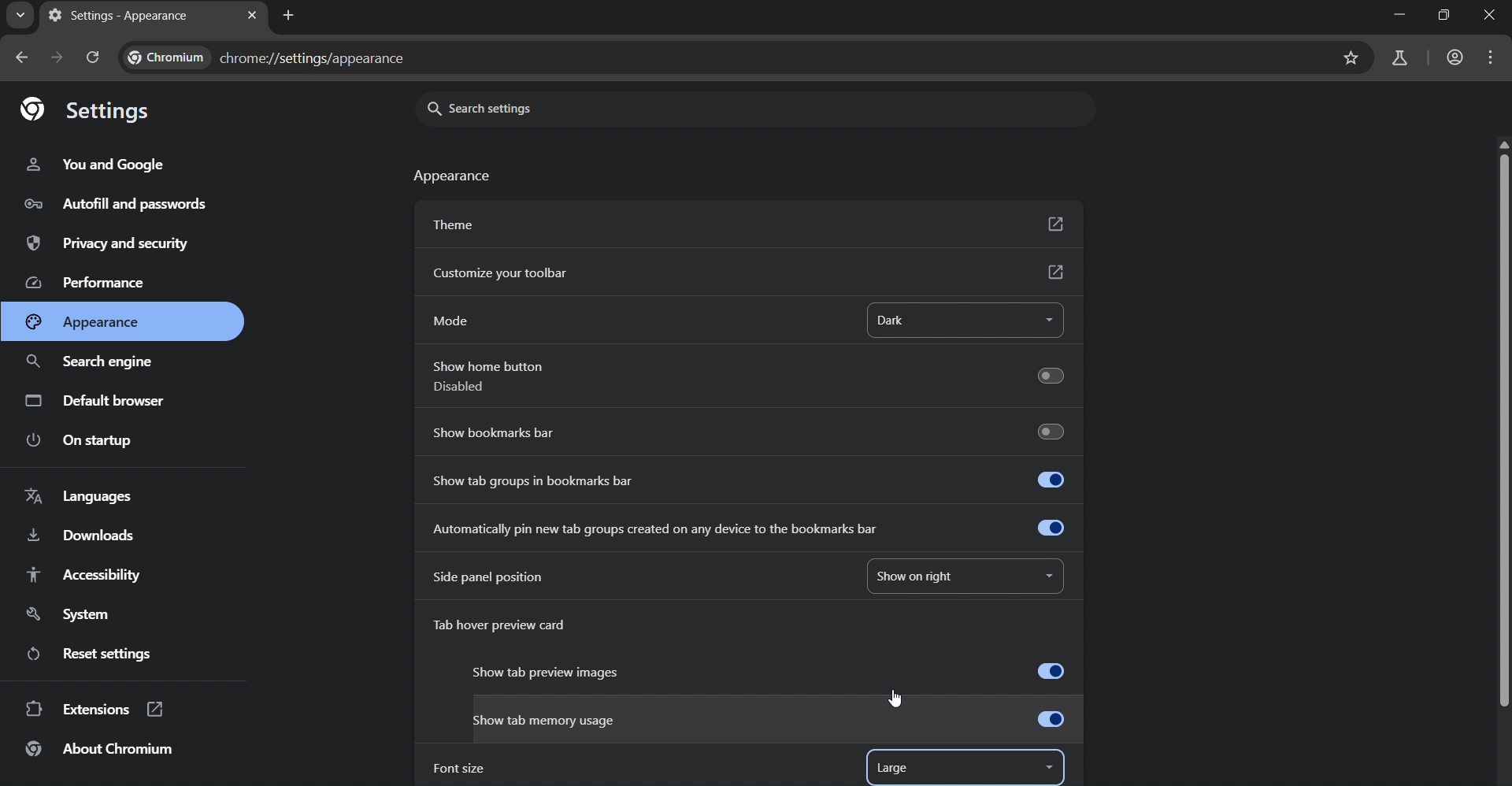 The image size is (1512, 786). Describe the element at coordinates (91, 54) in the screenshot. I see `reload page` at that location.